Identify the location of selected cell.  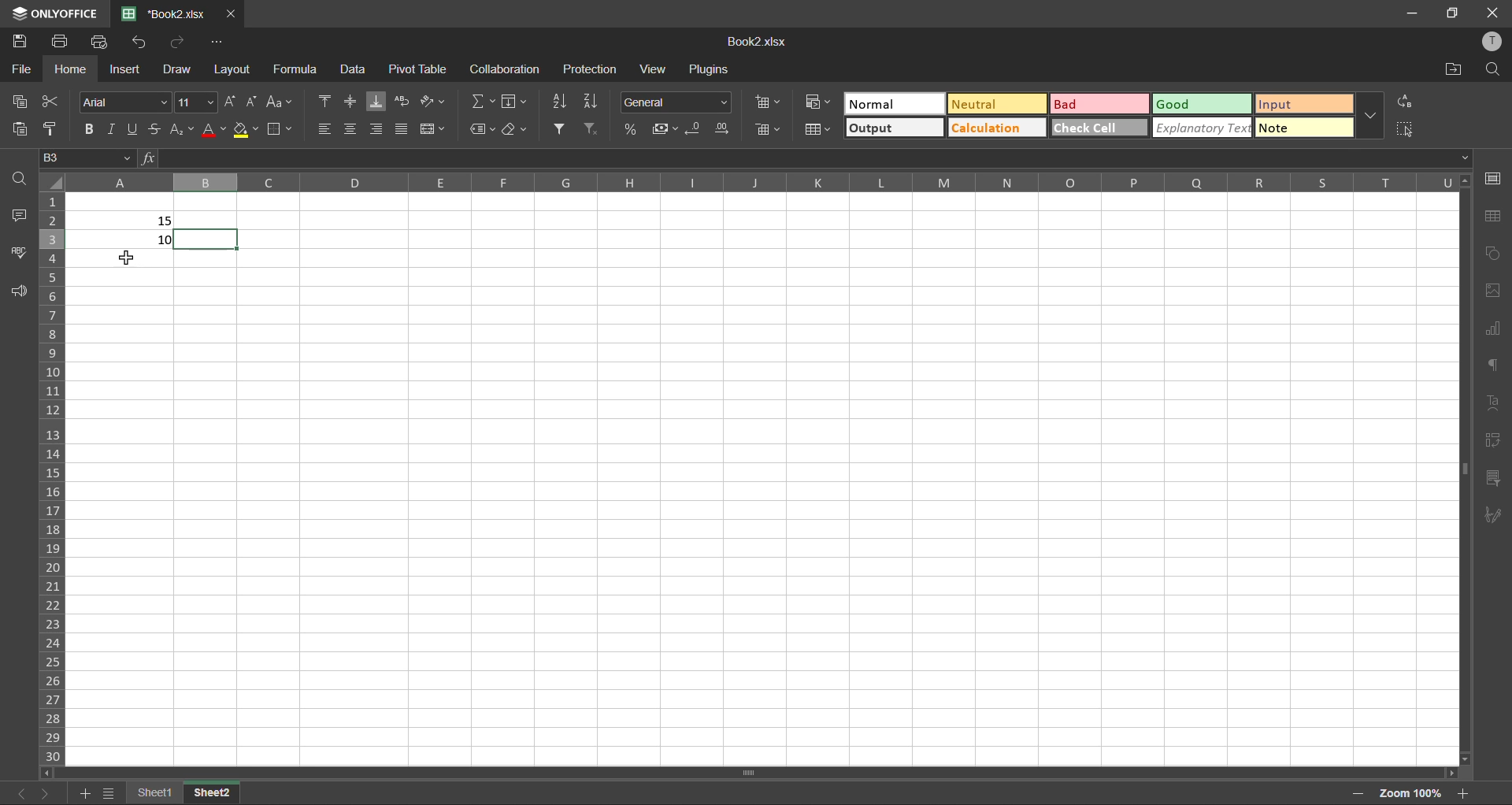
(206, 239).